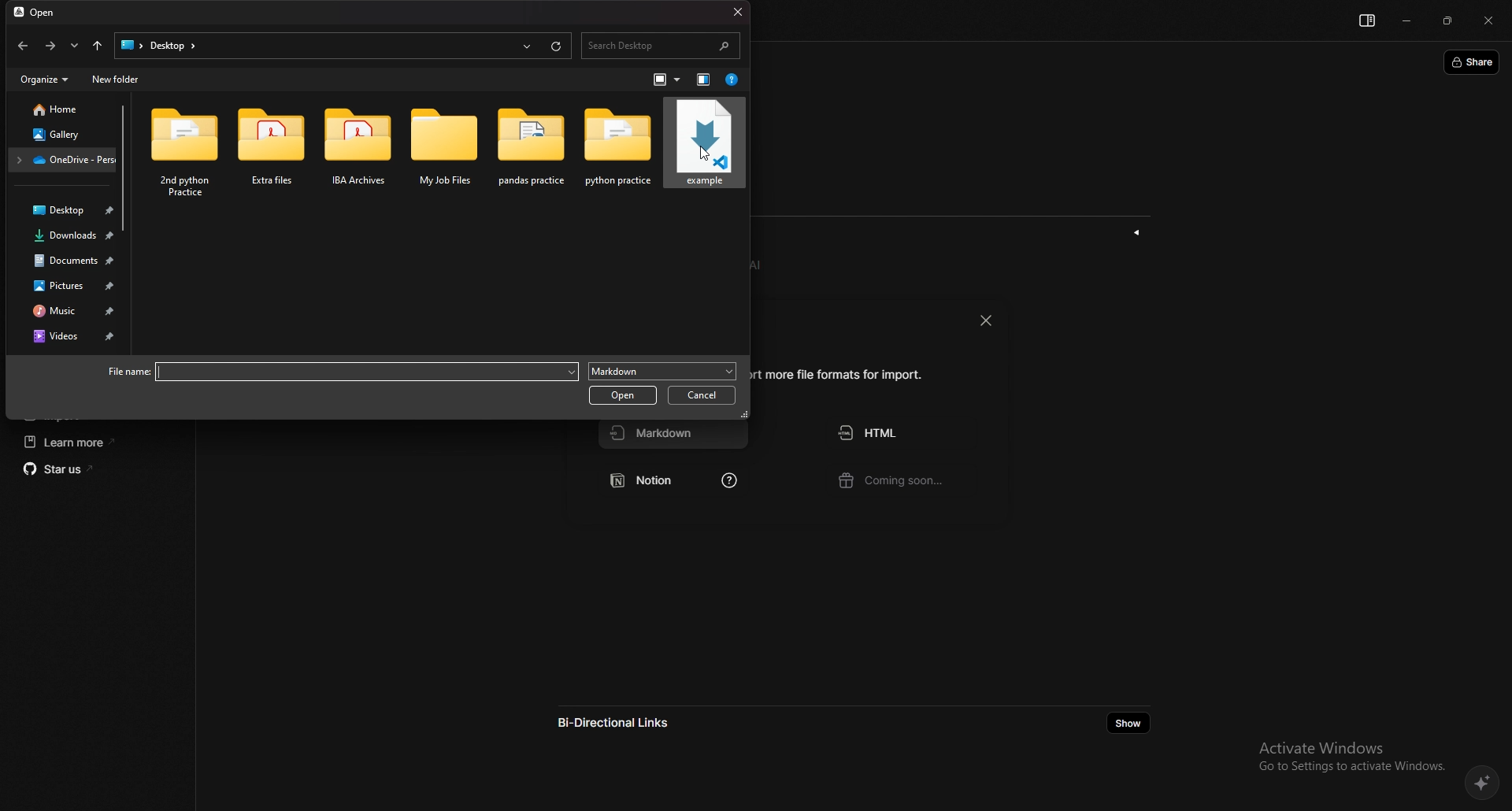 Image resolution: width=1512 pixels, height=811 pixels. What do you see at coordinates (94, 443) in the screenshot?
I see `learn more` at bounding box center [94, 443].